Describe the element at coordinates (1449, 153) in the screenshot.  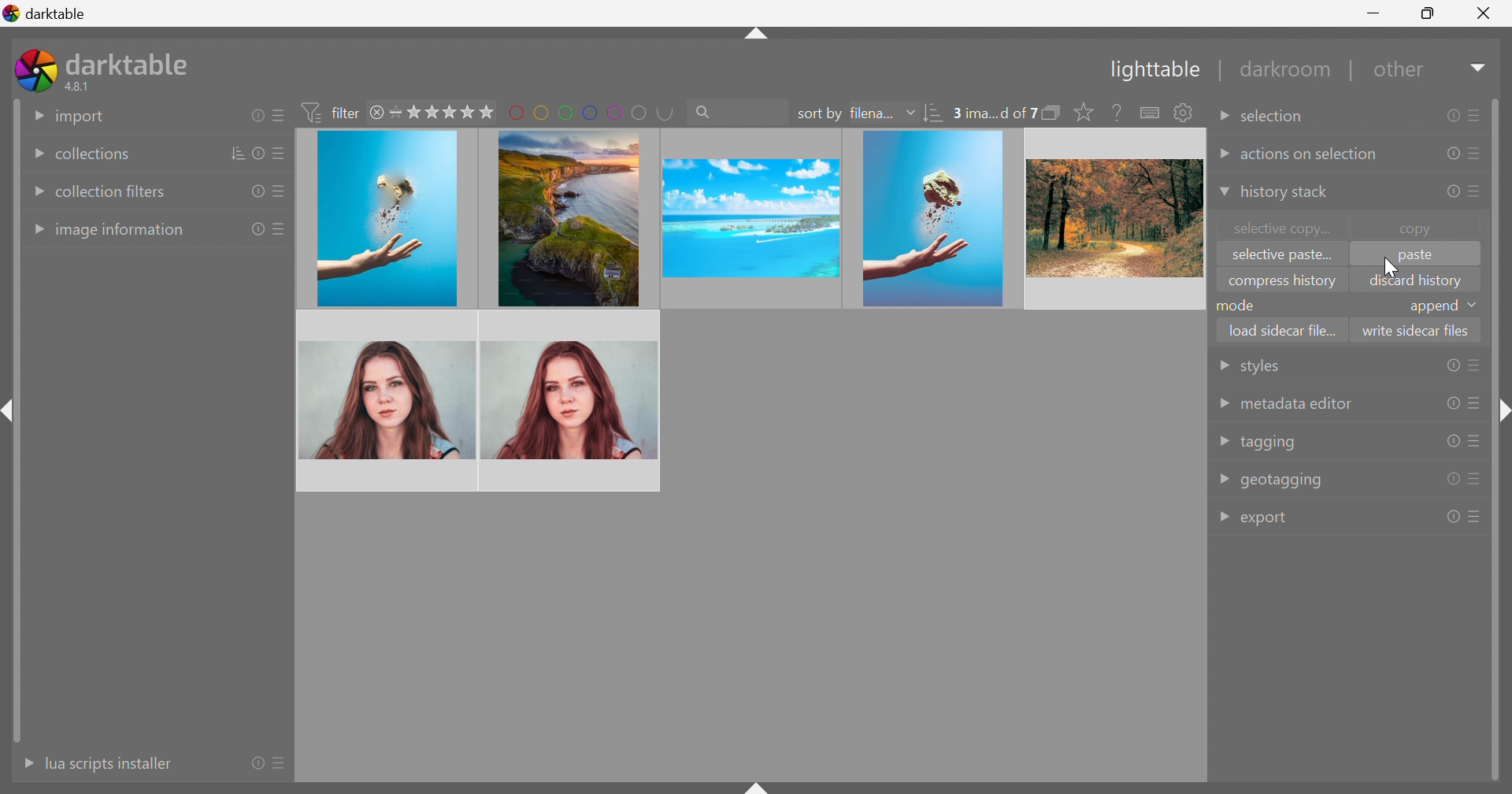
I see `reset` at that location.